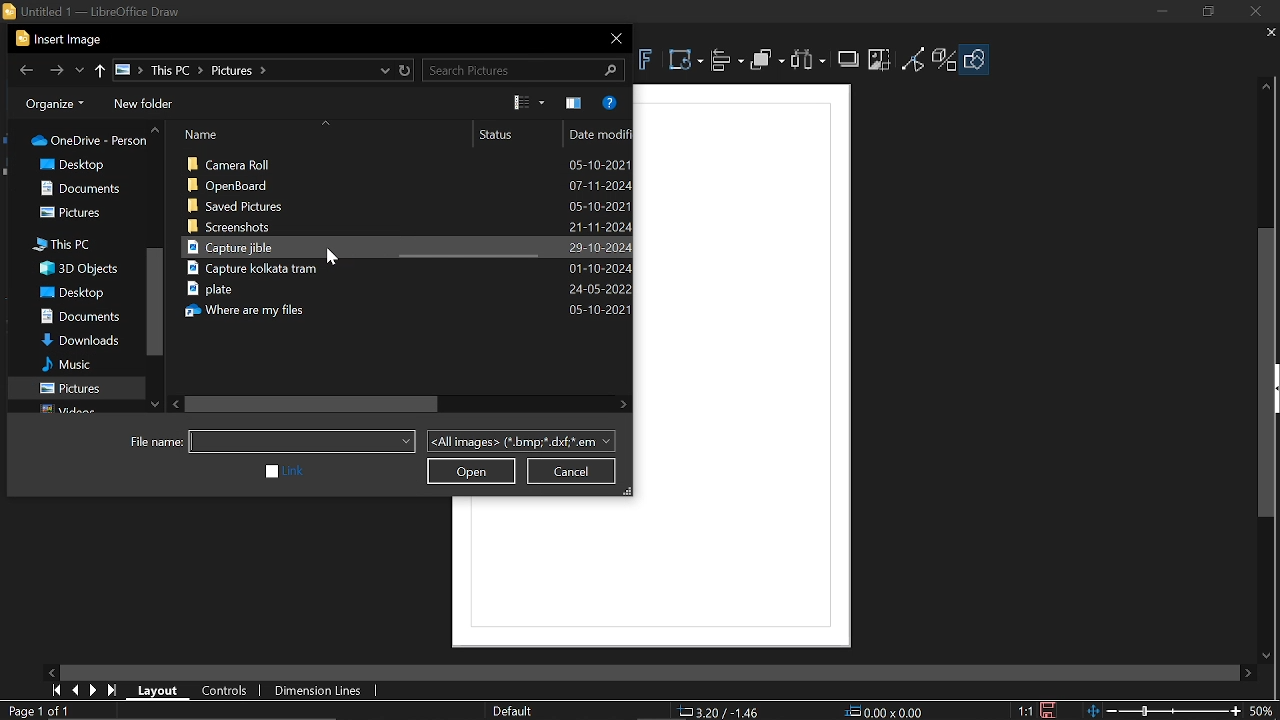 Image resolution: width=1280 pixels, height=720 pixels. Describe the element at coordinates (176, 403) in the screenshot. I see `Move left` at that location.